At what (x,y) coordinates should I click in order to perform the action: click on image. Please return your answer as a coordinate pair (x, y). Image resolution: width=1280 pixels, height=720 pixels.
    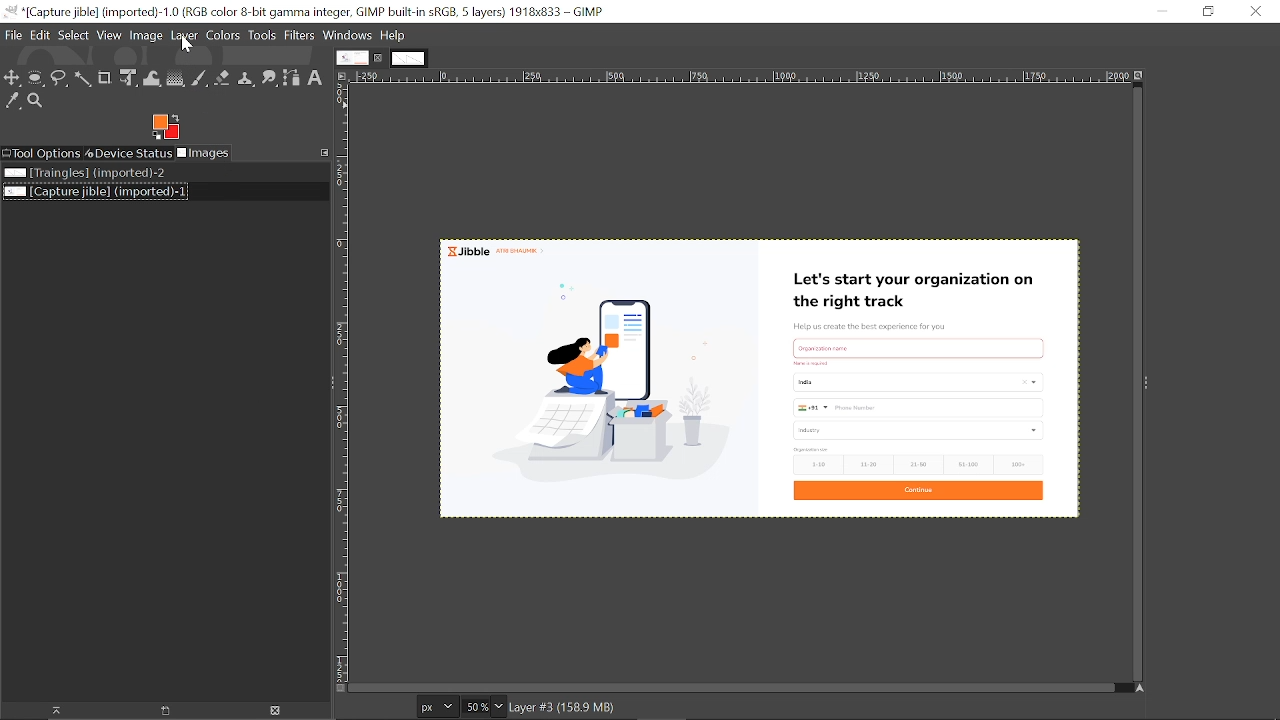
    Looking at the image, I should click on (148, 35).